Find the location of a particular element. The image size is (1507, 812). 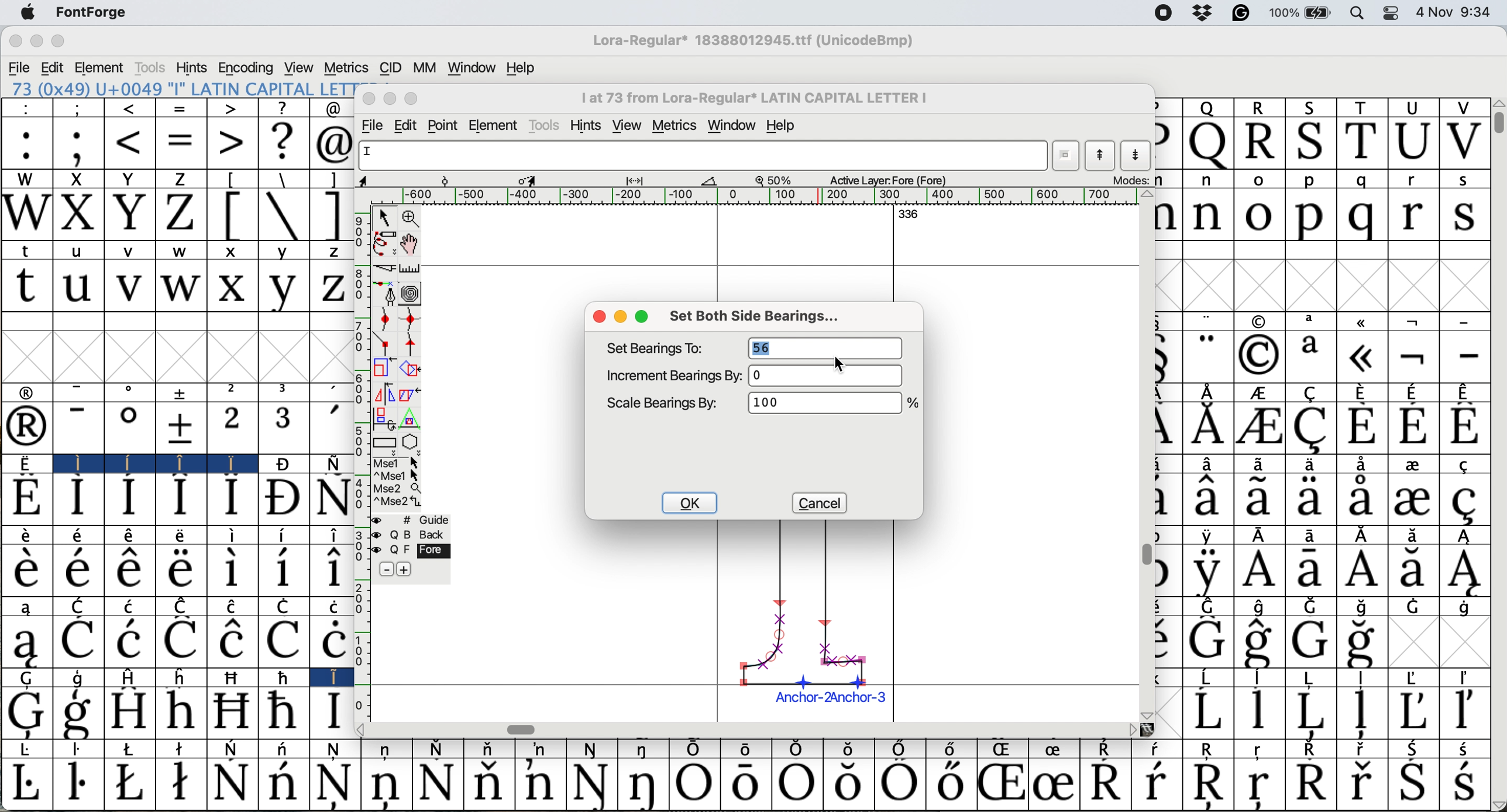

Symbol is located at coordinates (438, 784).